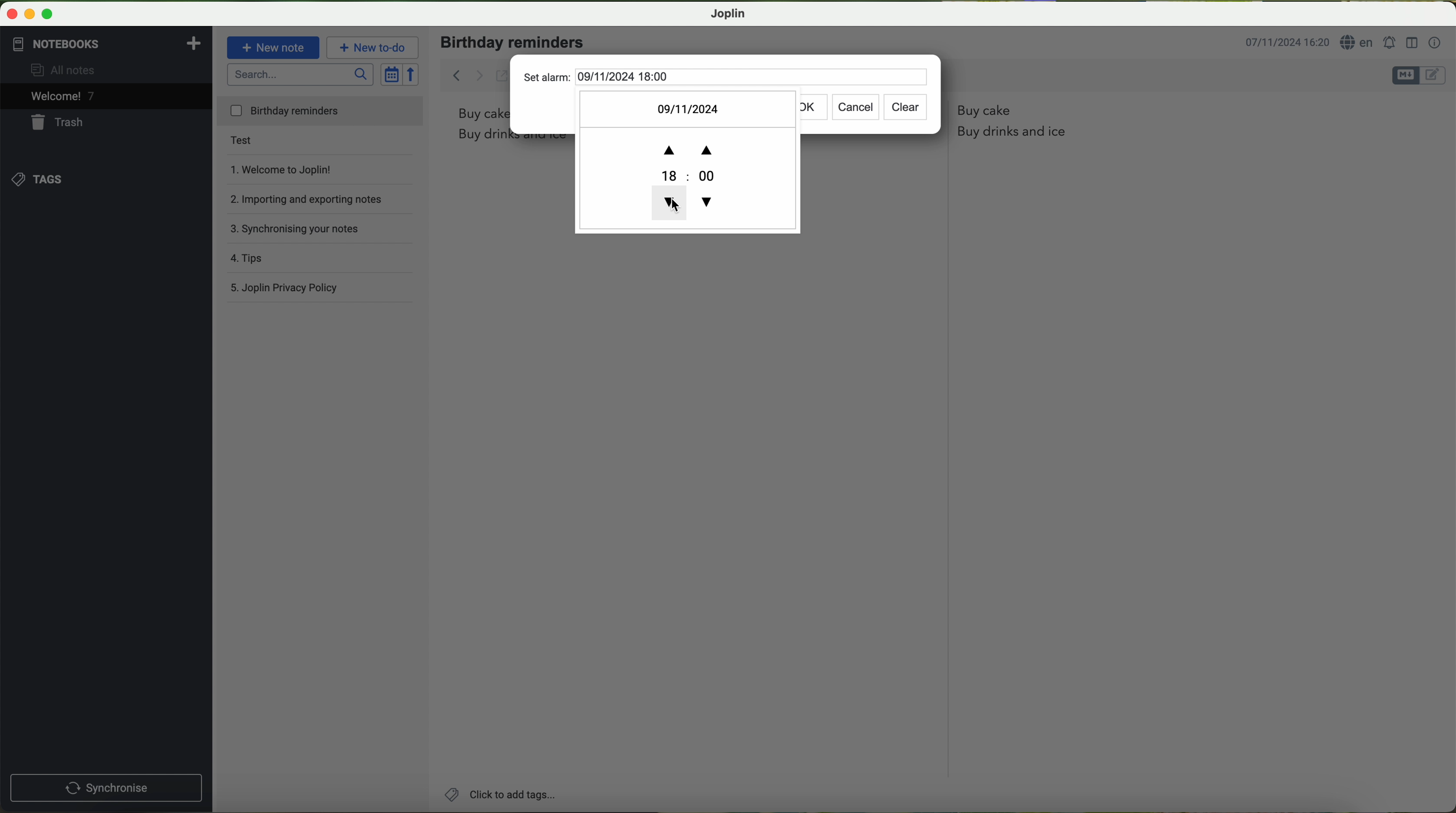 The width and height of the screenshot is (1456, 813). Describe the element at coordinates (269, 254) in the screenshot. I see `tips` at that location.